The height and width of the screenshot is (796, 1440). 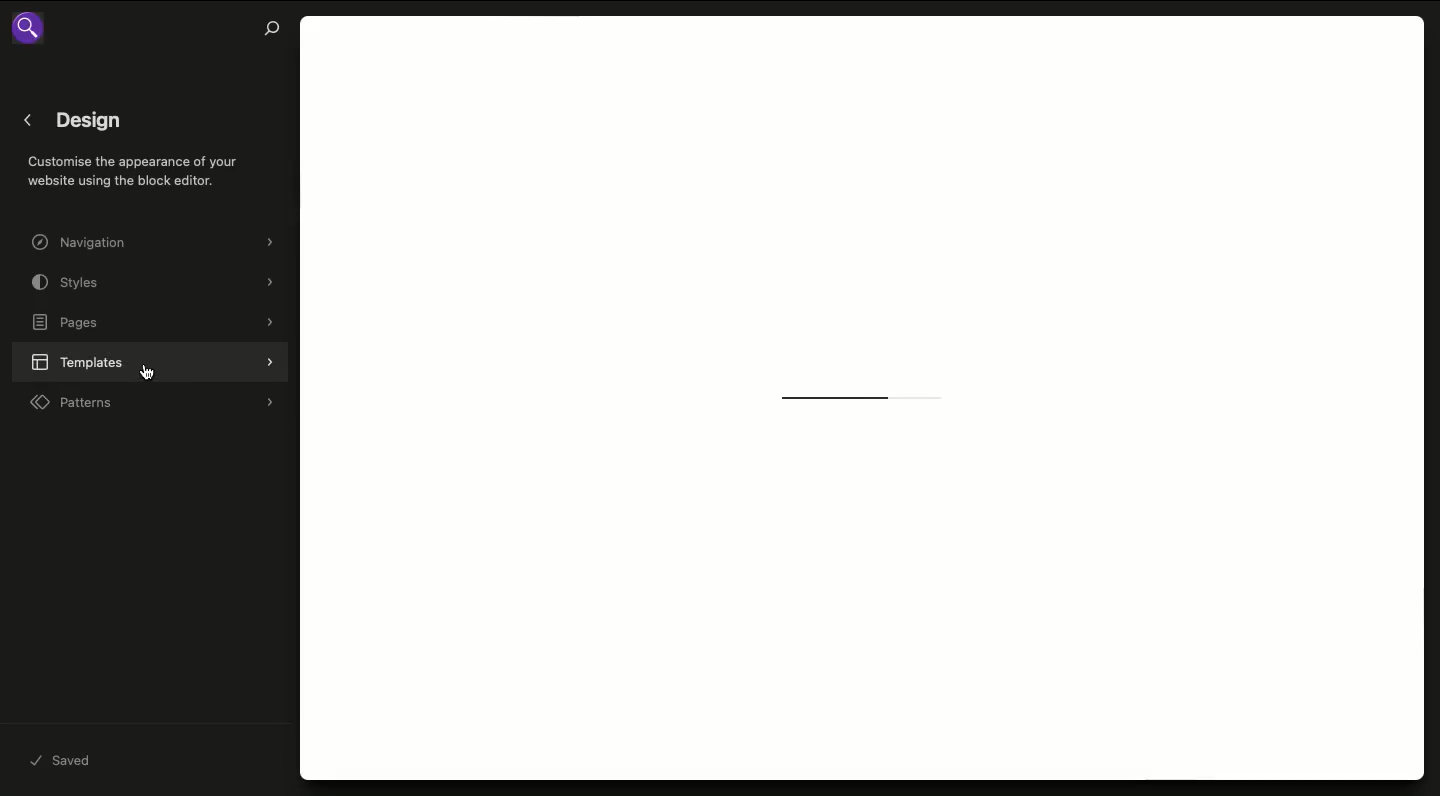 I want to click on Patterns, so click(x=156, y=404).